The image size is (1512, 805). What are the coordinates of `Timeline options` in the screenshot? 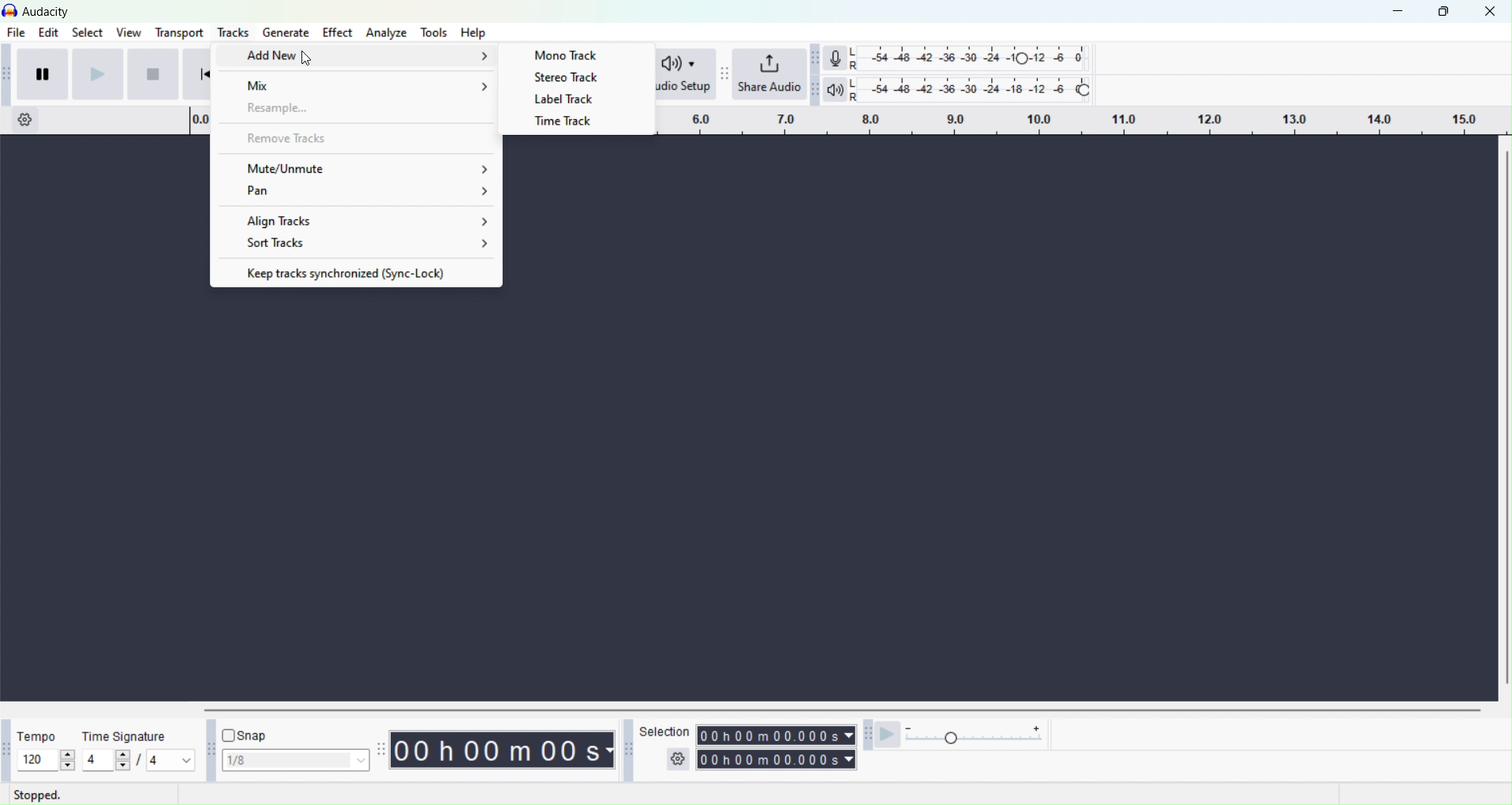 It's located at (22, 119).